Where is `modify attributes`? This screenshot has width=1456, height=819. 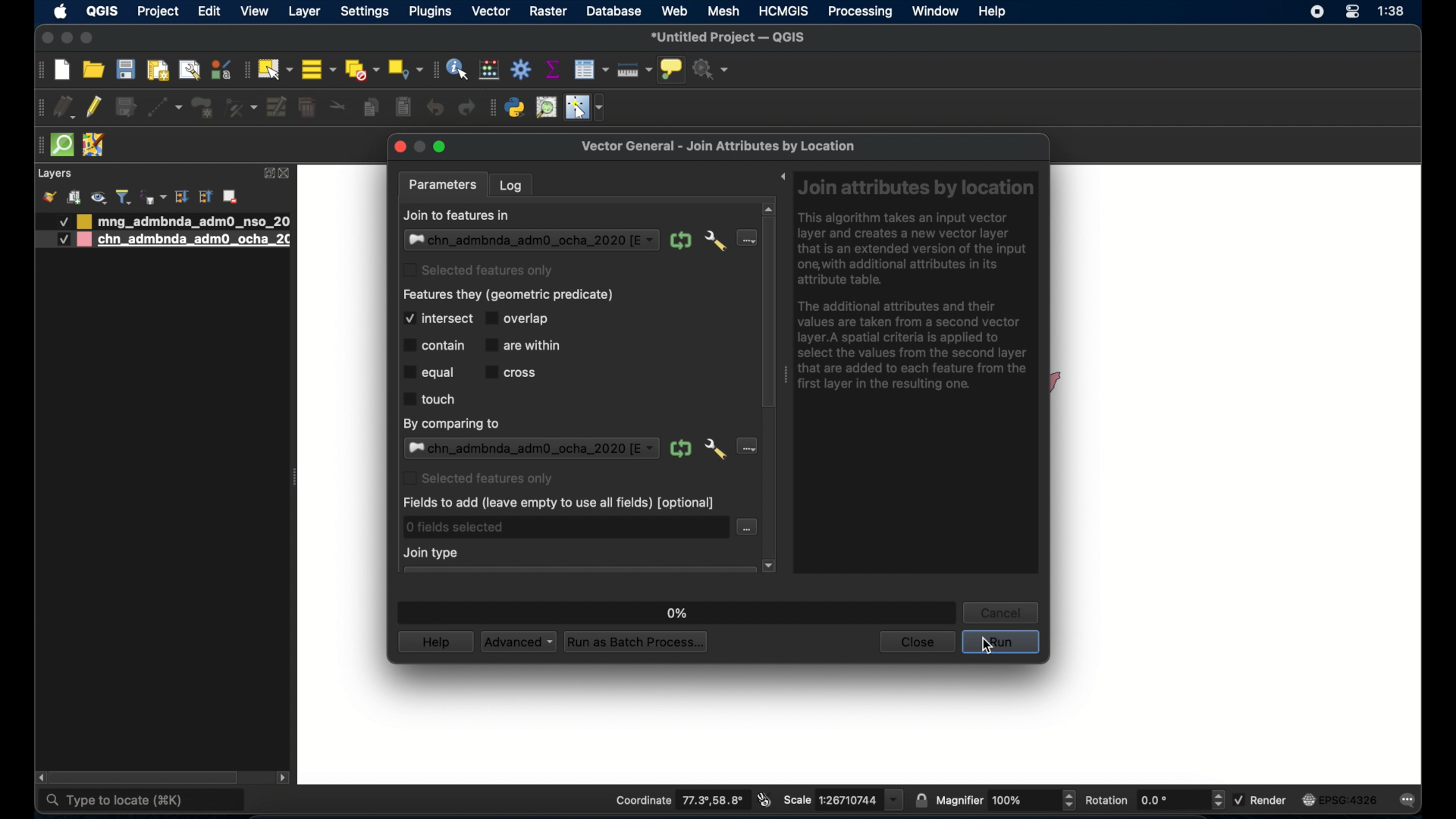 modify attributes is located at coordinates (275, 108).